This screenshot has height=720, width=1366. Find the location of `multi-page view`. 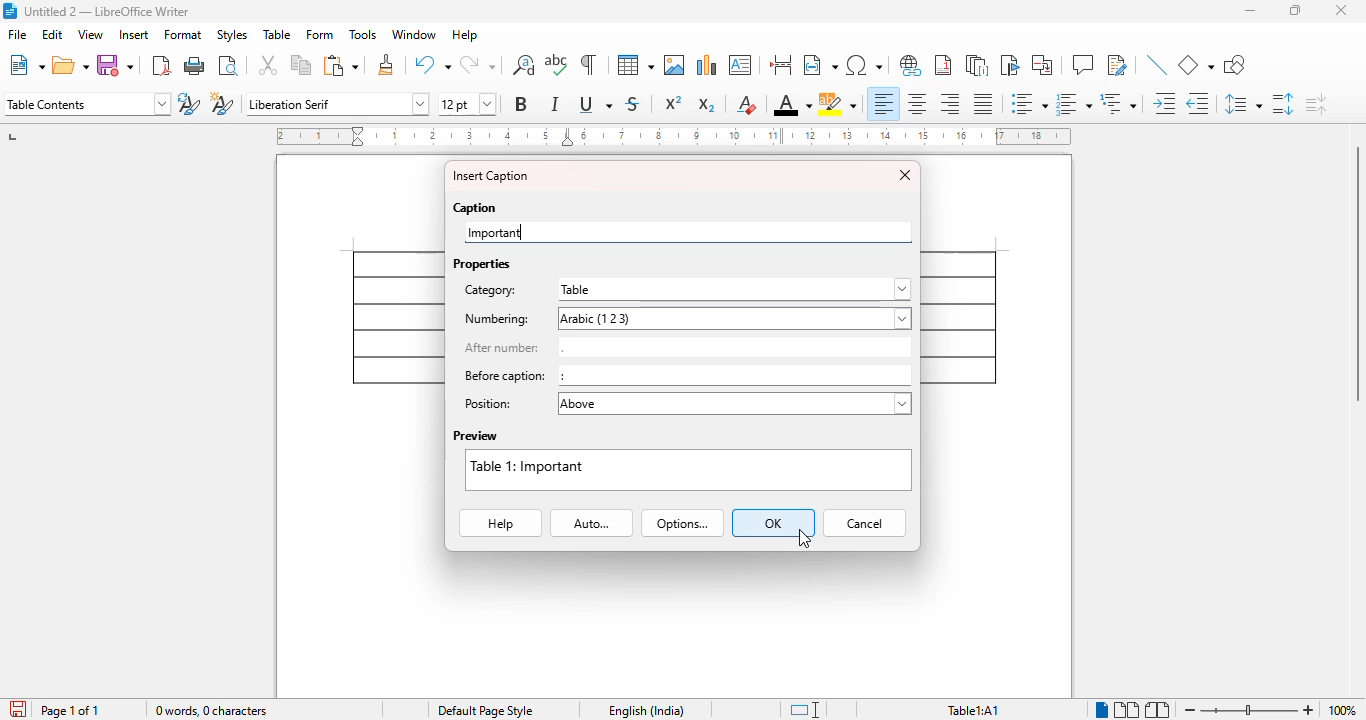

multi-page view is located at coordinates (1128, 710).